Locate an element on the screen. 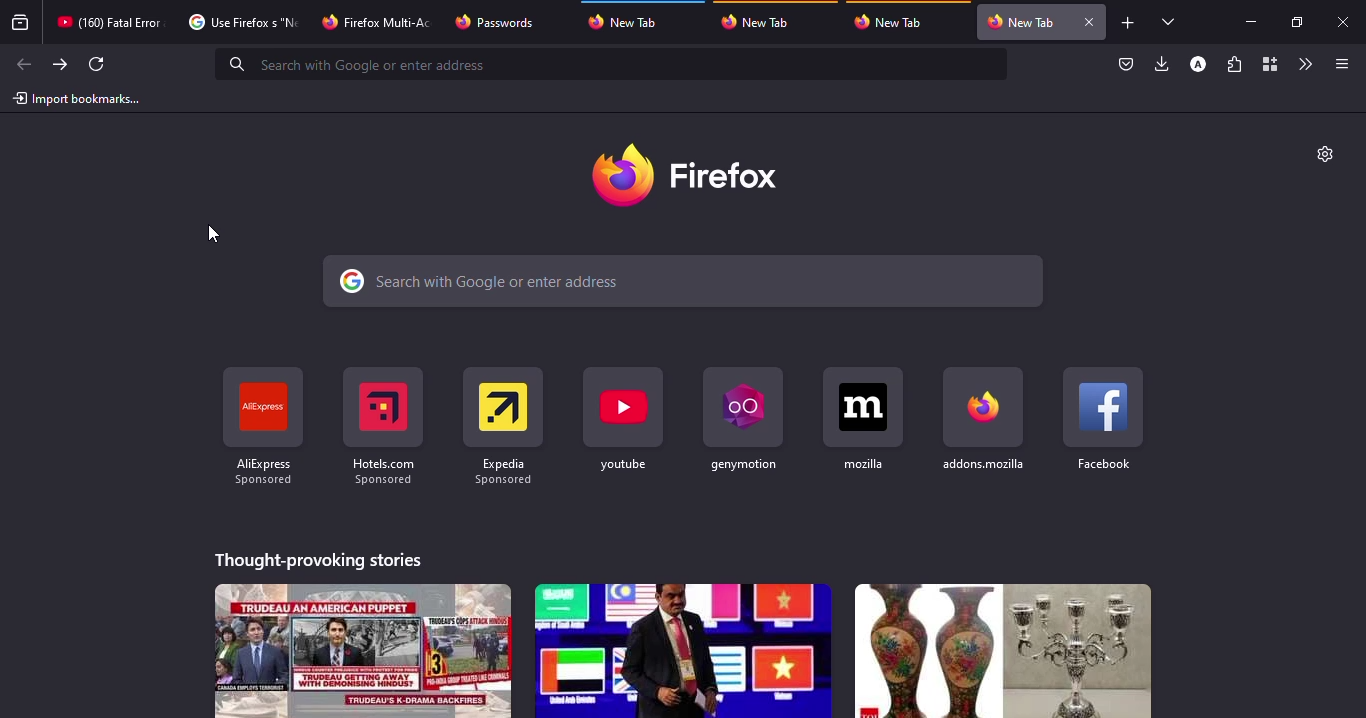 The image size is (1366, 718). forward is located at coordinates (58, 64).